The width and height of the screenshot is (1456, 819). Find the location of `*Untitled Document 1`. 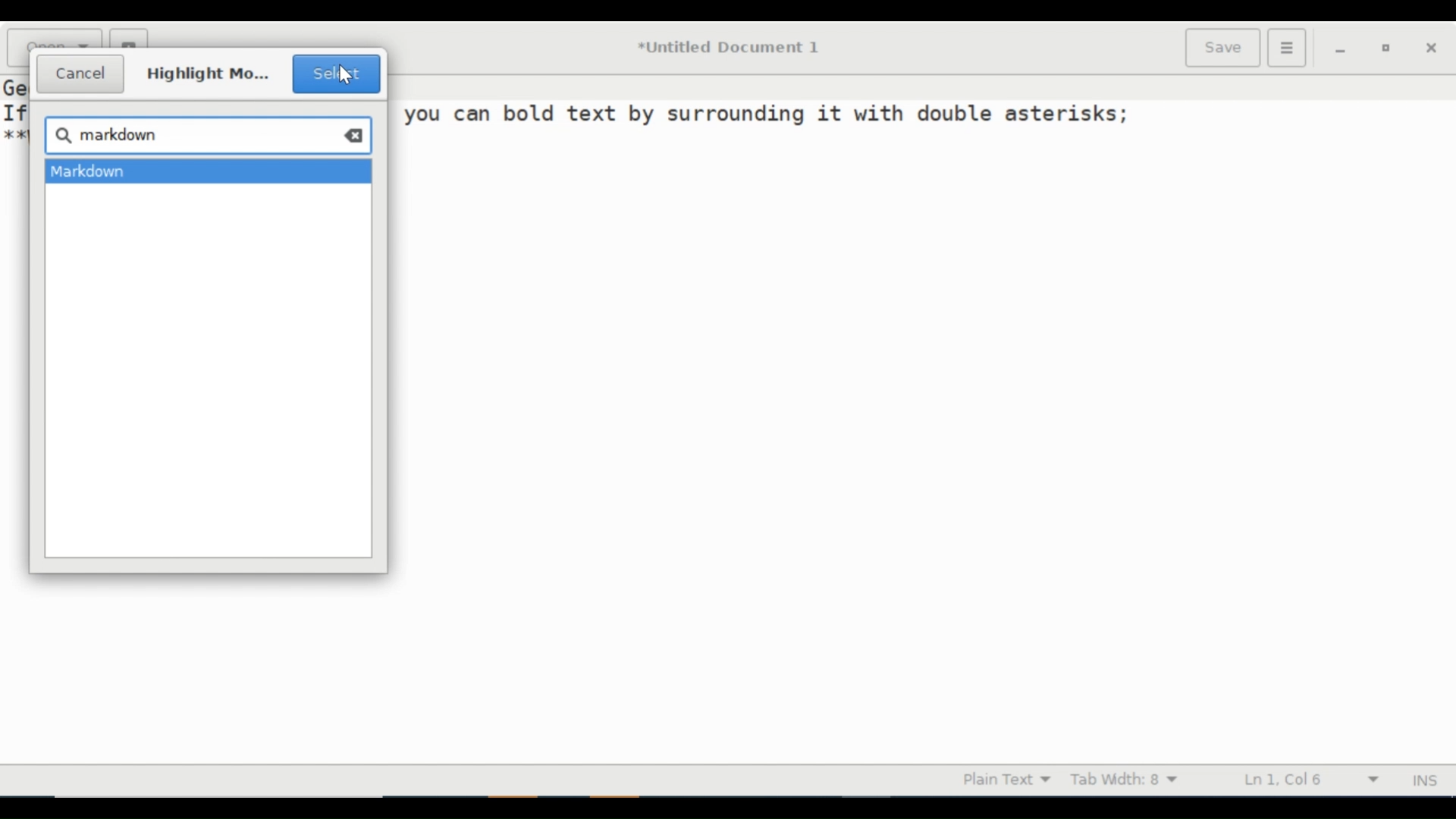

*Untitled Document 1 is located at coordinates (730, 47).